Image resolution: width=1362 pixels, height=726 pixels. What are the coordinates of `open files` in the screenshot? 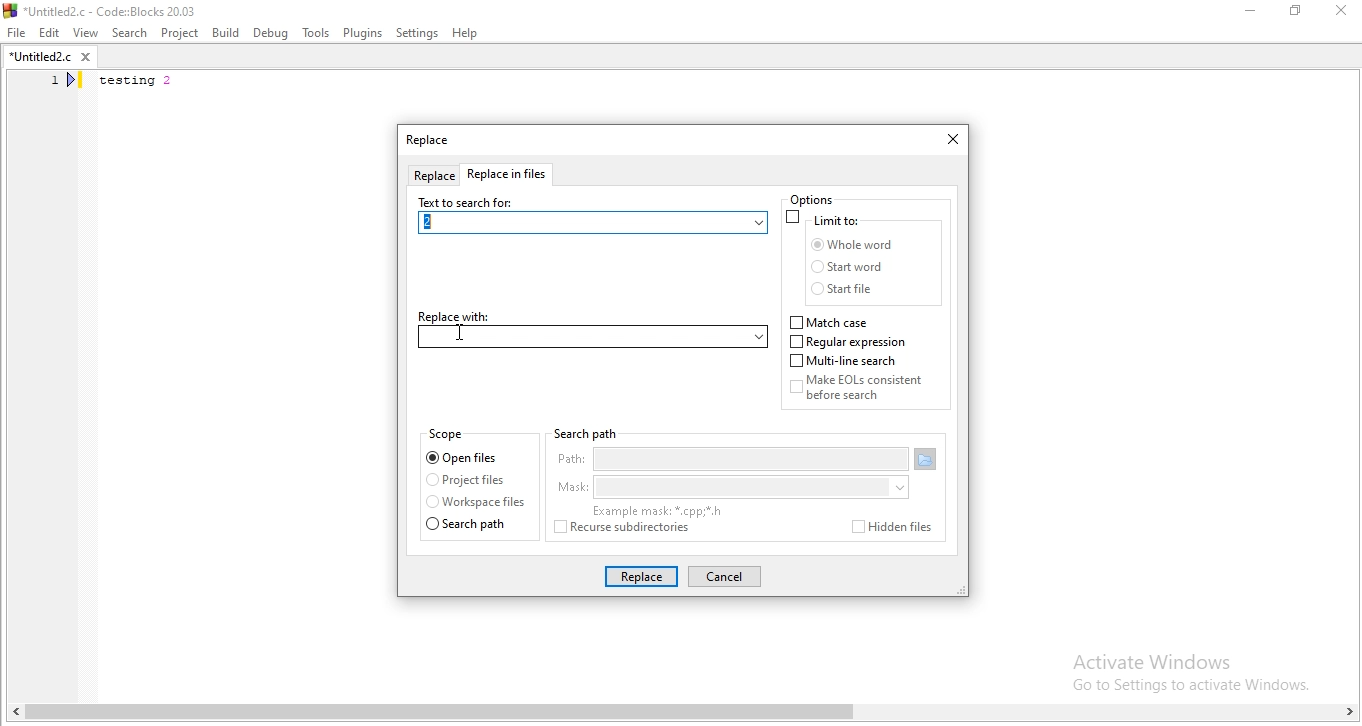 It's located at (465, 456).